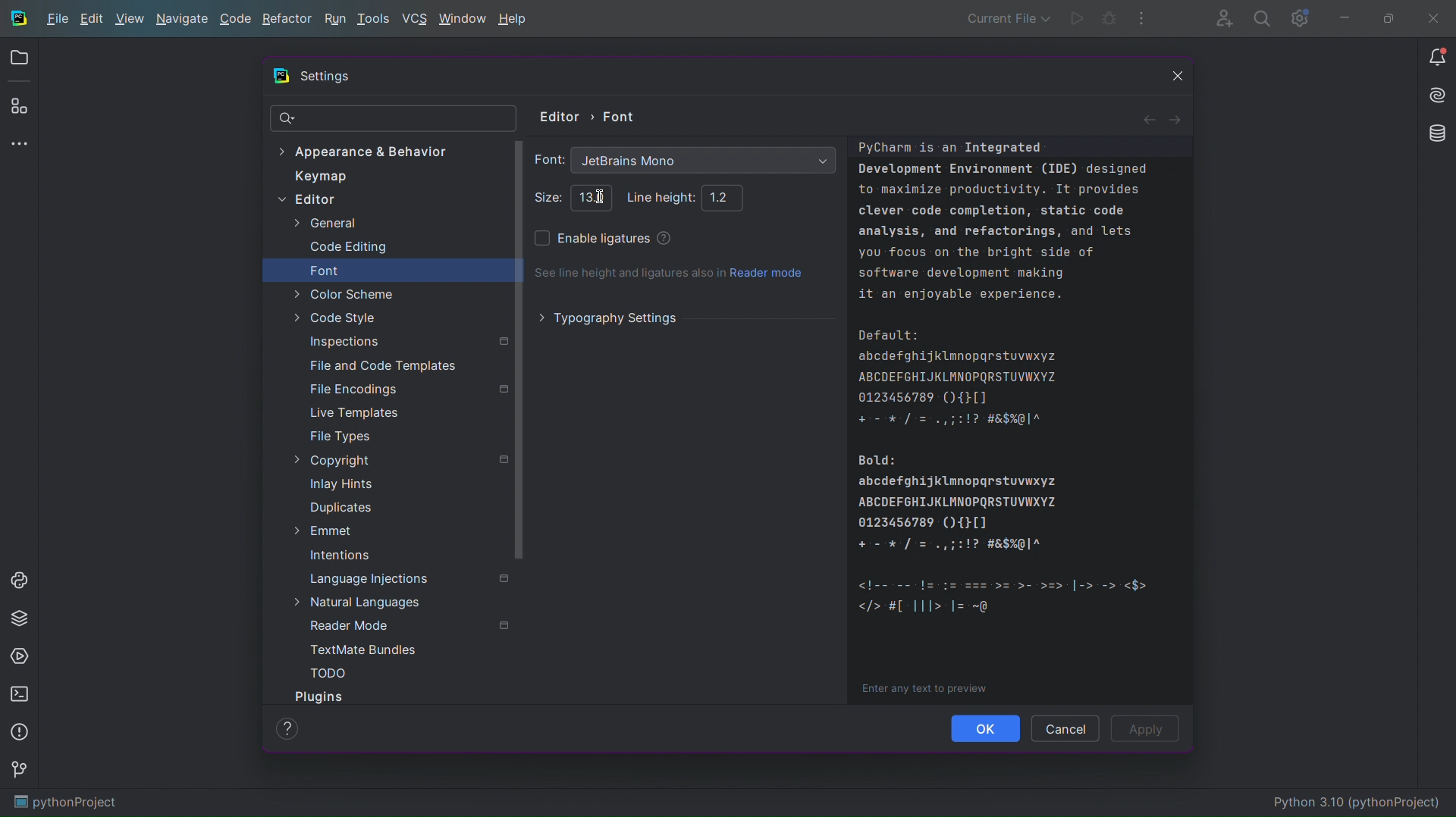 The height and width of the screenshot is (817, 1456). Describe the element at coordinates (409, 578) in the screenshot. I see `Language Injections` at that location.